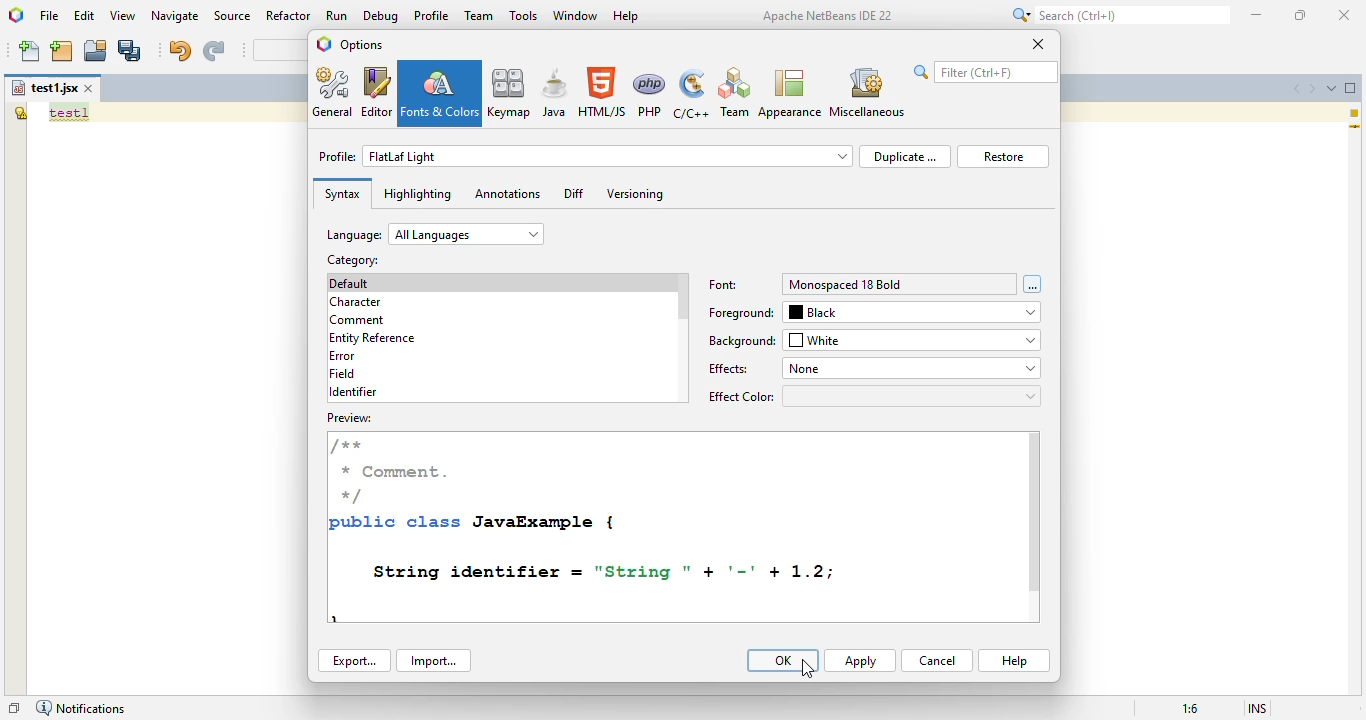  I want to click on public class JavaExample {, so click(480, 523).